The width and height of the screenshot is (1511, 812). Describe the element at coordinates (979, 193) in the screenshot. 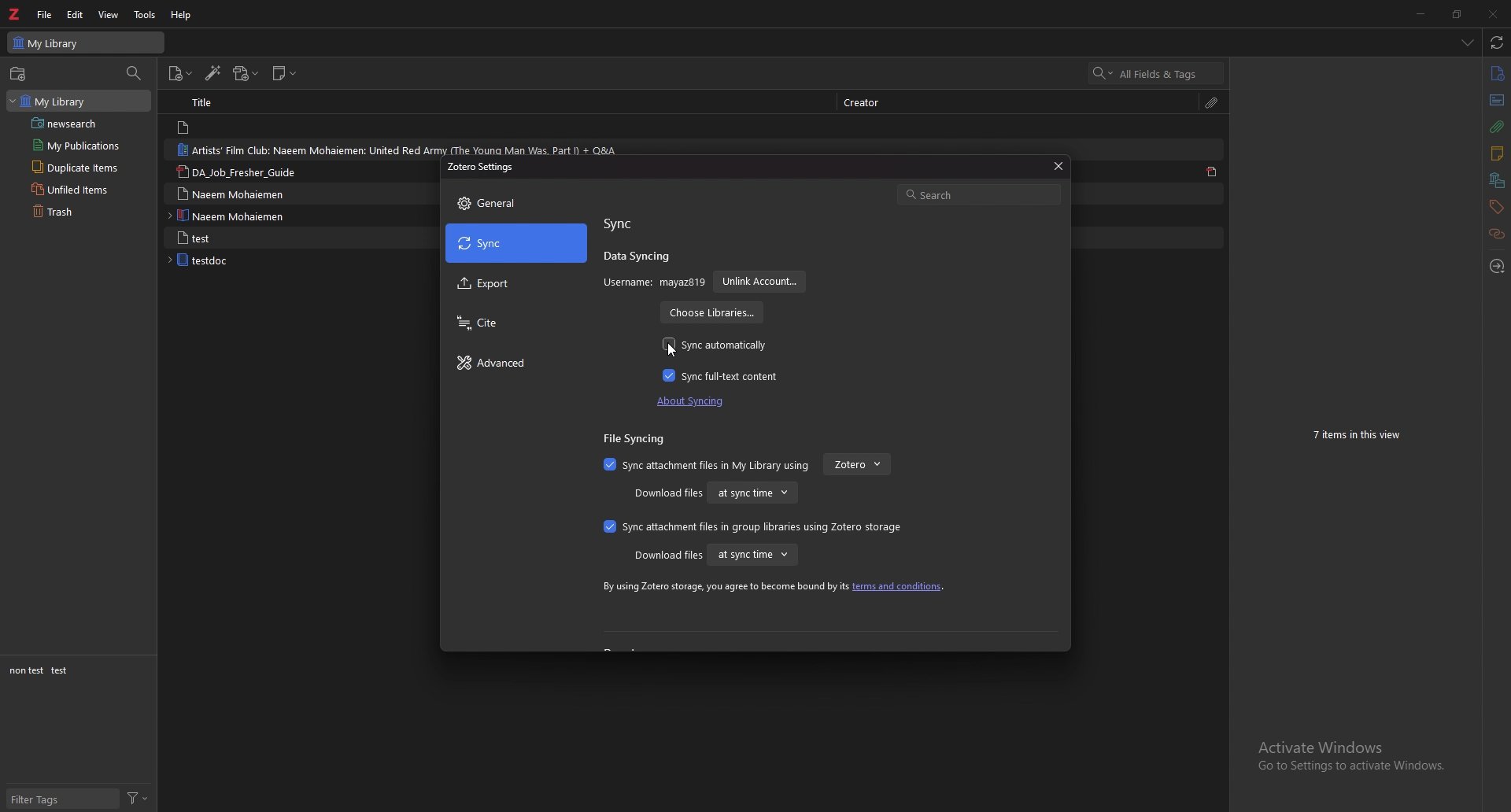

I see `search bar` at that location.